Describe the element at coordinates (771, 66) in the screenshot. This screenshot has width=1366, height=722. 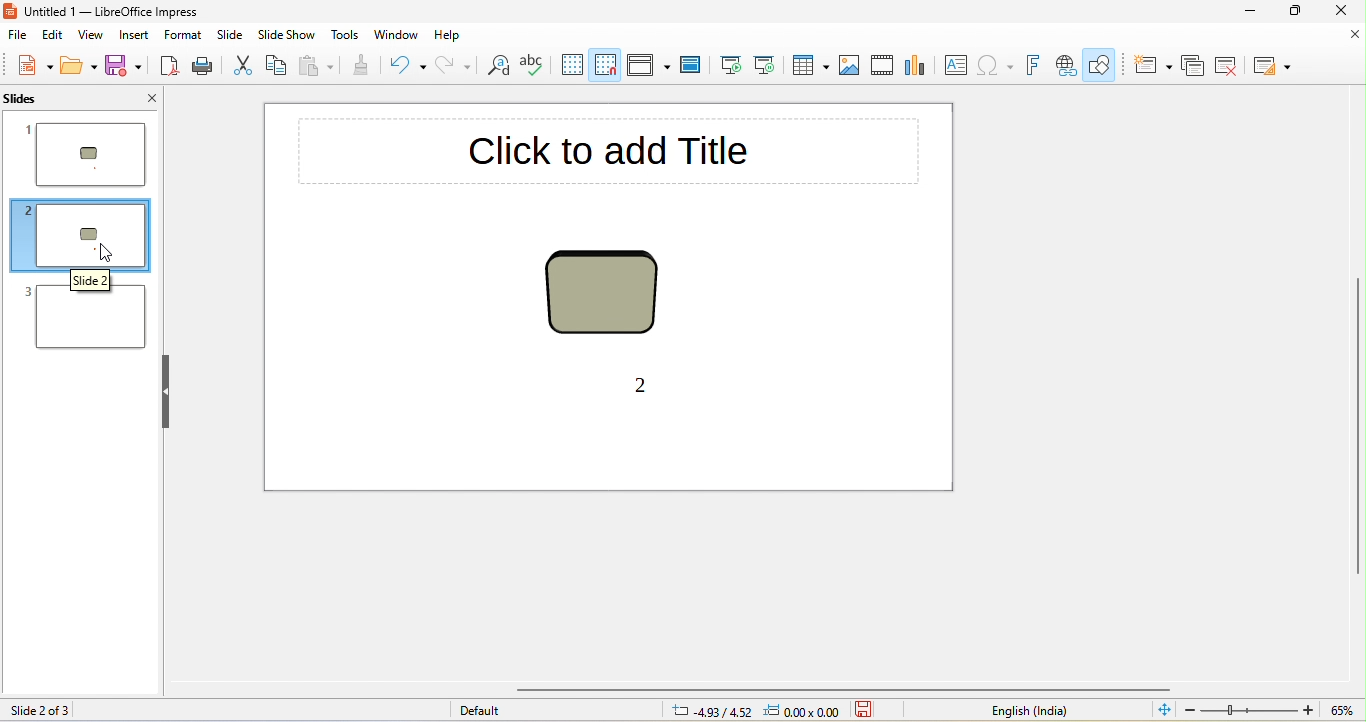
I see `start from current slide` at that location.